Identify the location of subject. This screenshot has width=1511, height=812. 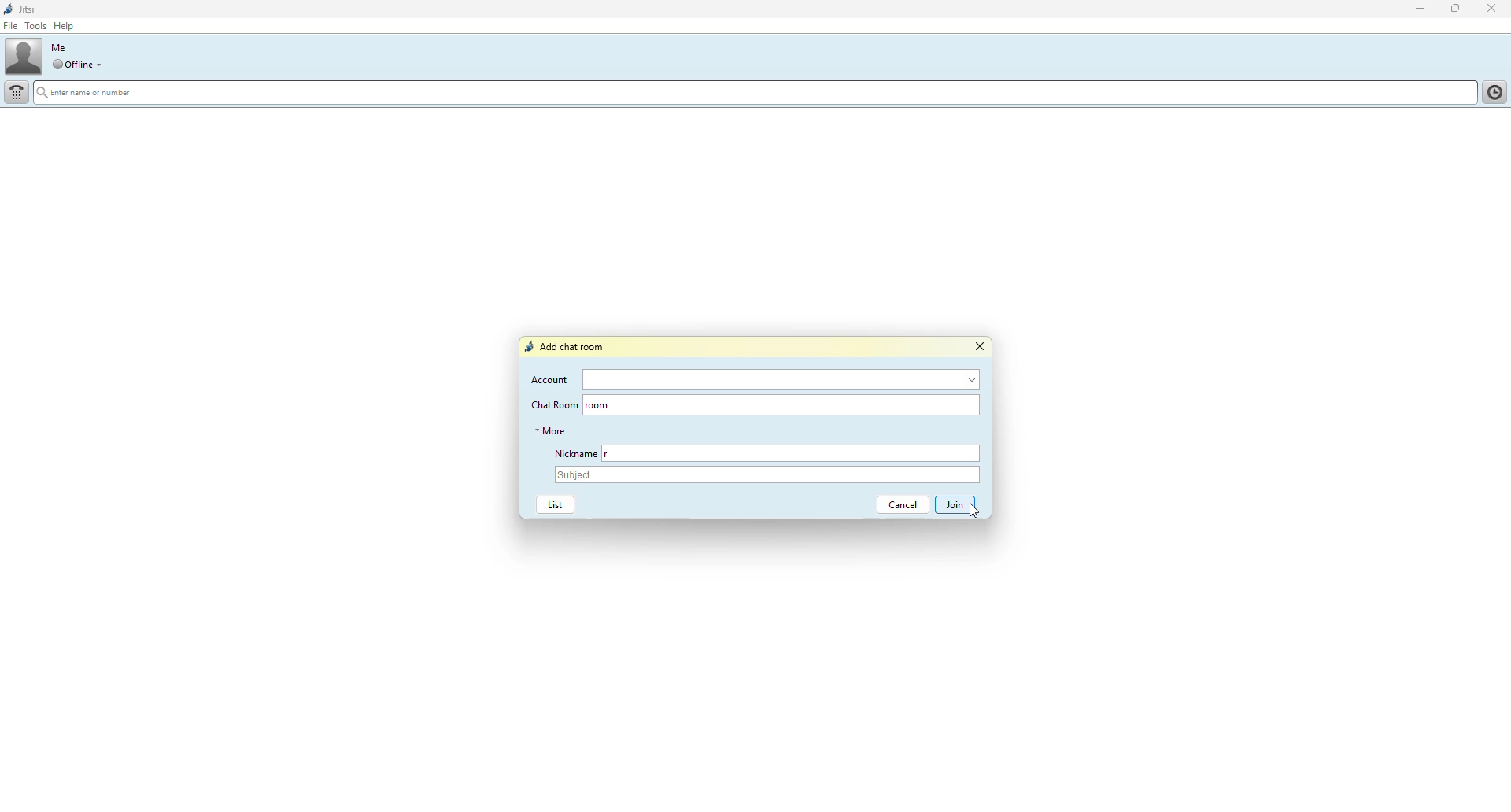
(768, 474).